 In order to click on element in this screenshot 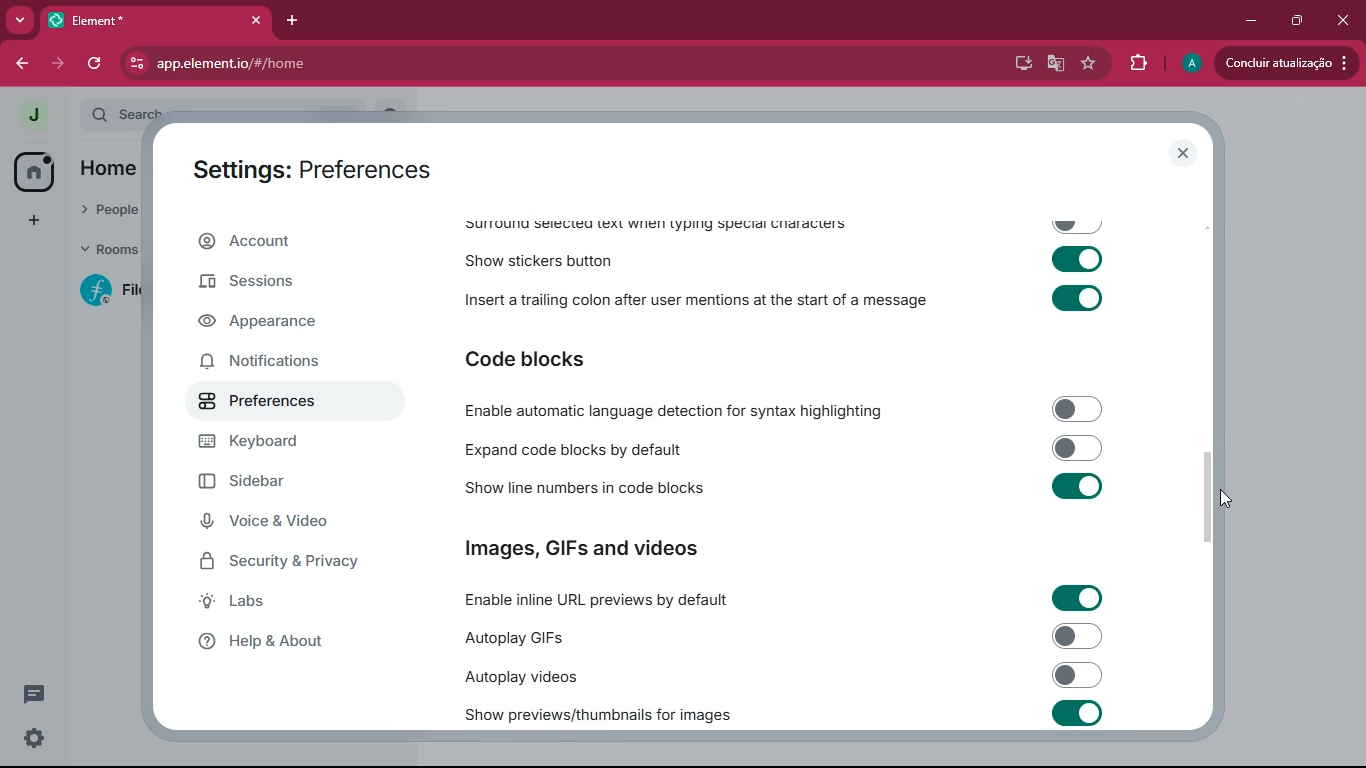, I will do `click(155, 20)`.